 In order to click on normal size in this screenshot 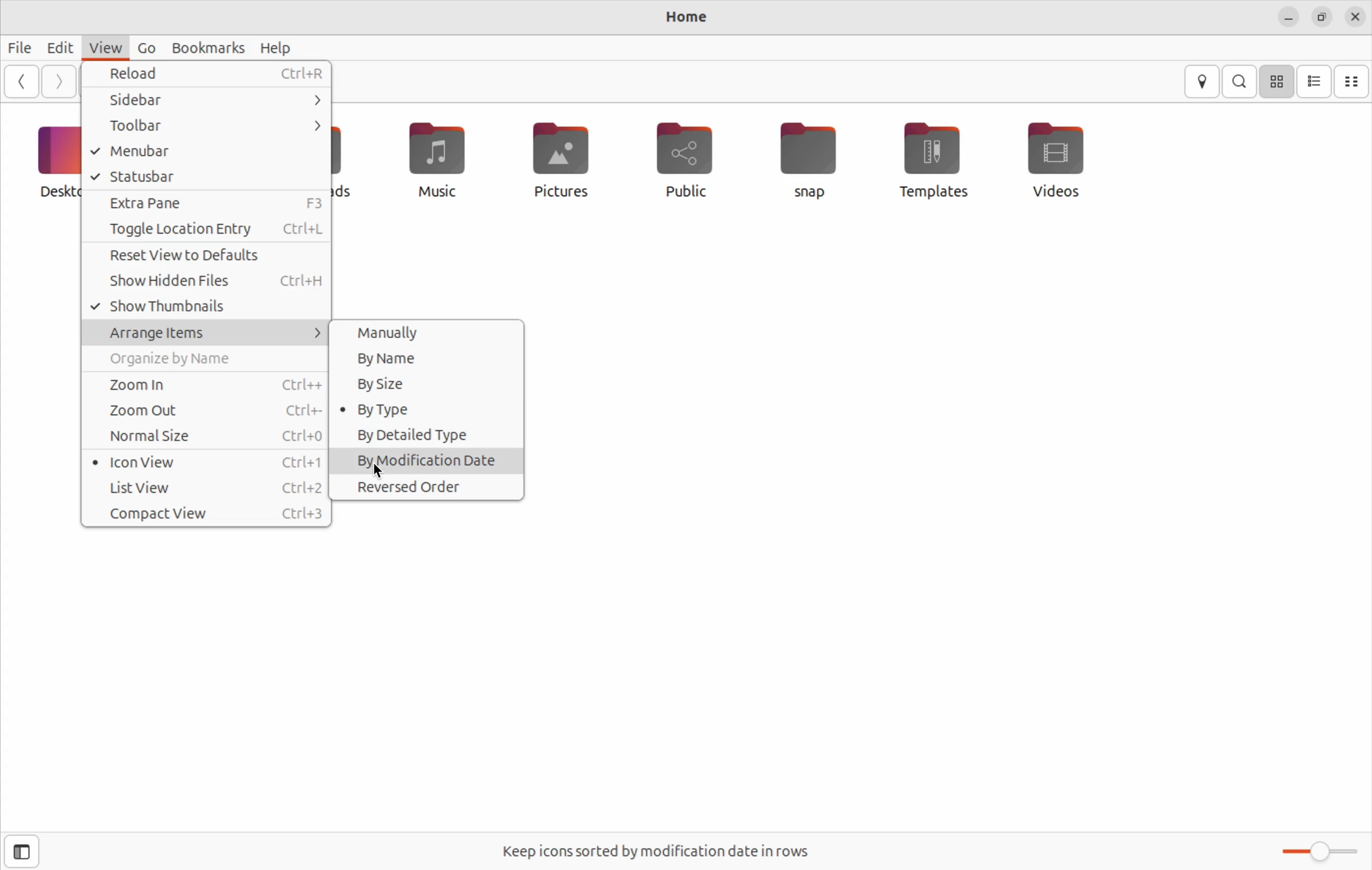, I will do `click(207, 435)`.